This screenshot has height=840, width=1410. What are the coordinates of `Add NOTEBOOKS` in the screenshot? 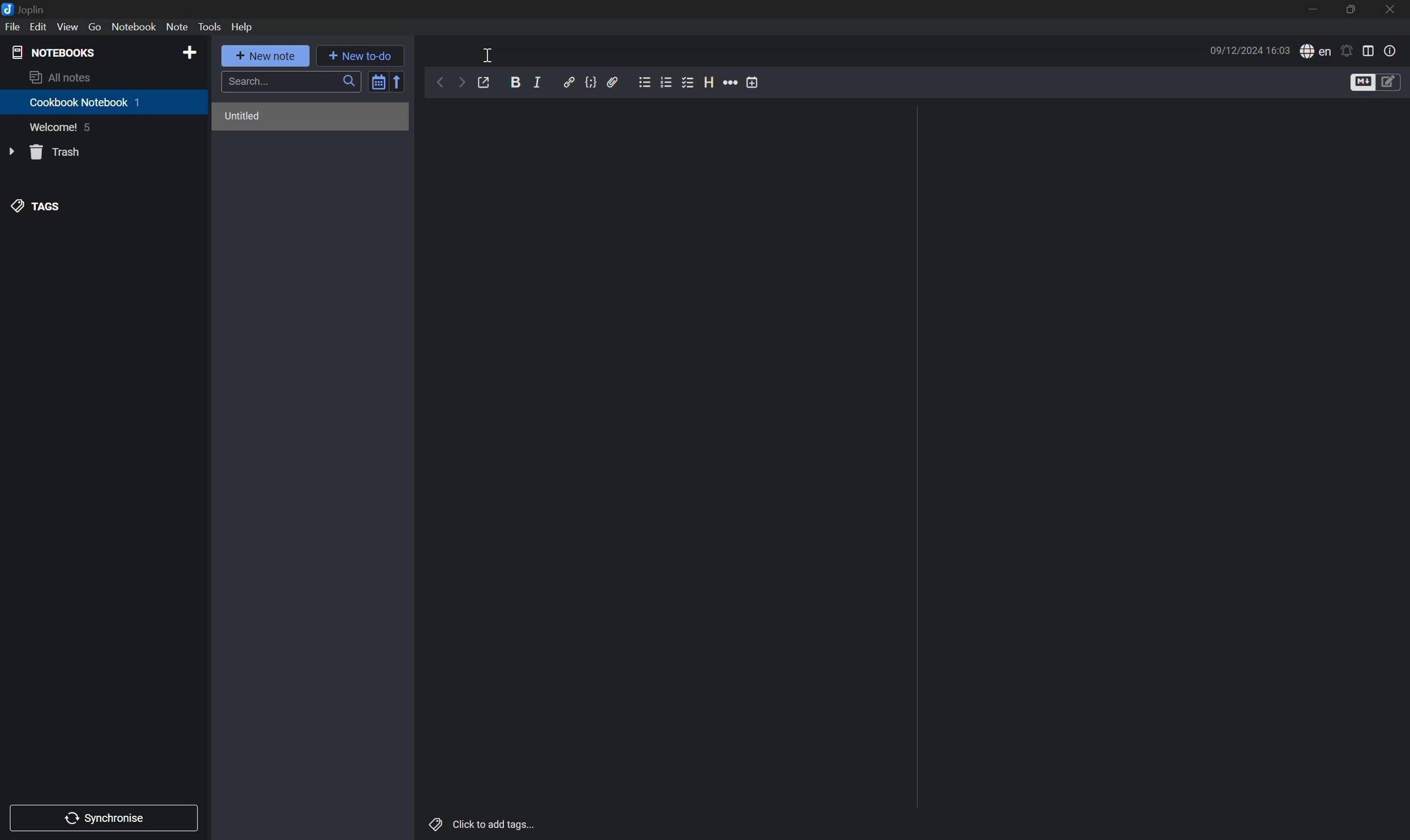 It's located at (190, 52).